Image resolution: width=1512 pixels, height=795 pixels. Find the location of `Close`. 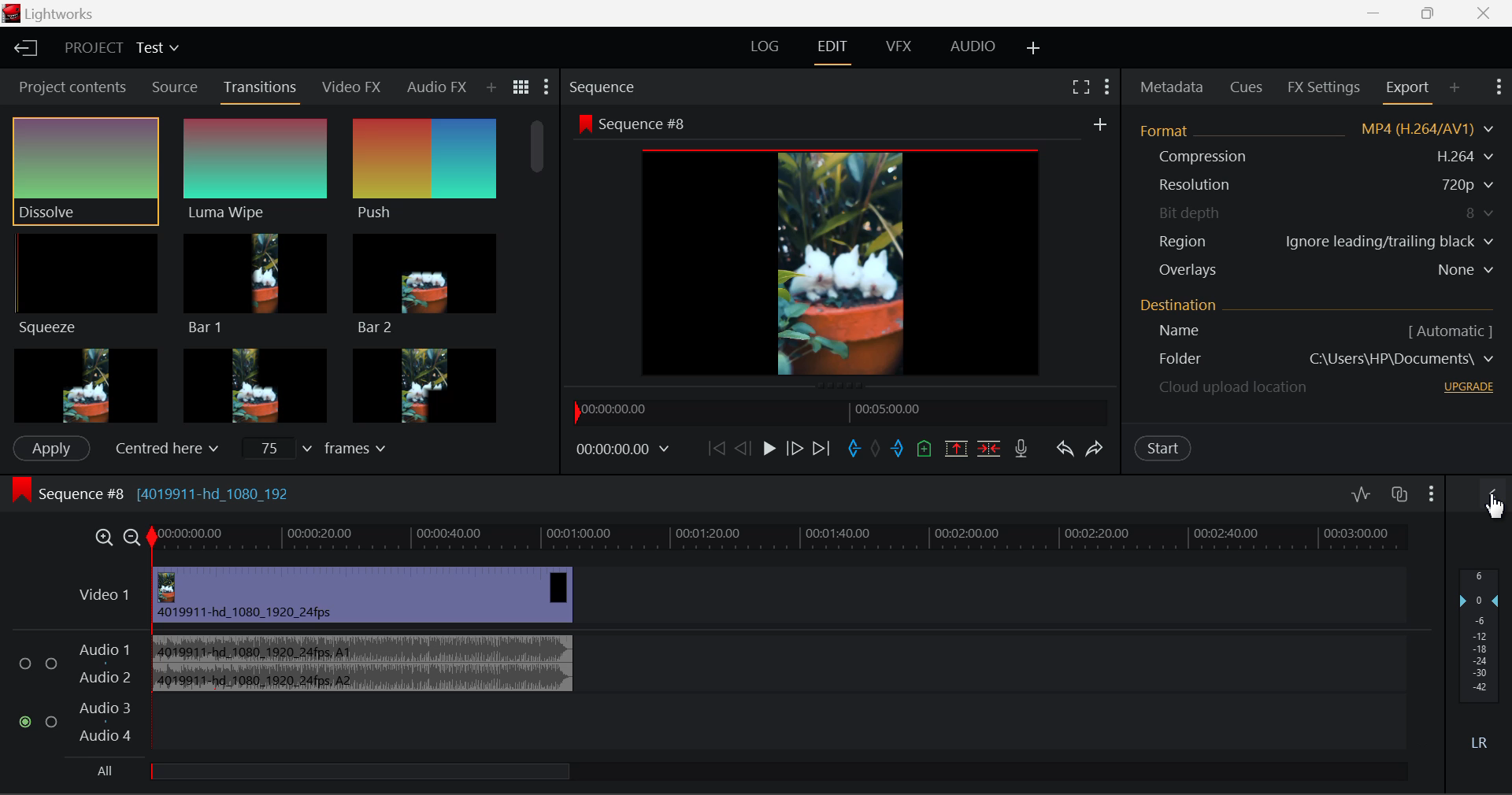

Close is located at coordinates (1485, 13).